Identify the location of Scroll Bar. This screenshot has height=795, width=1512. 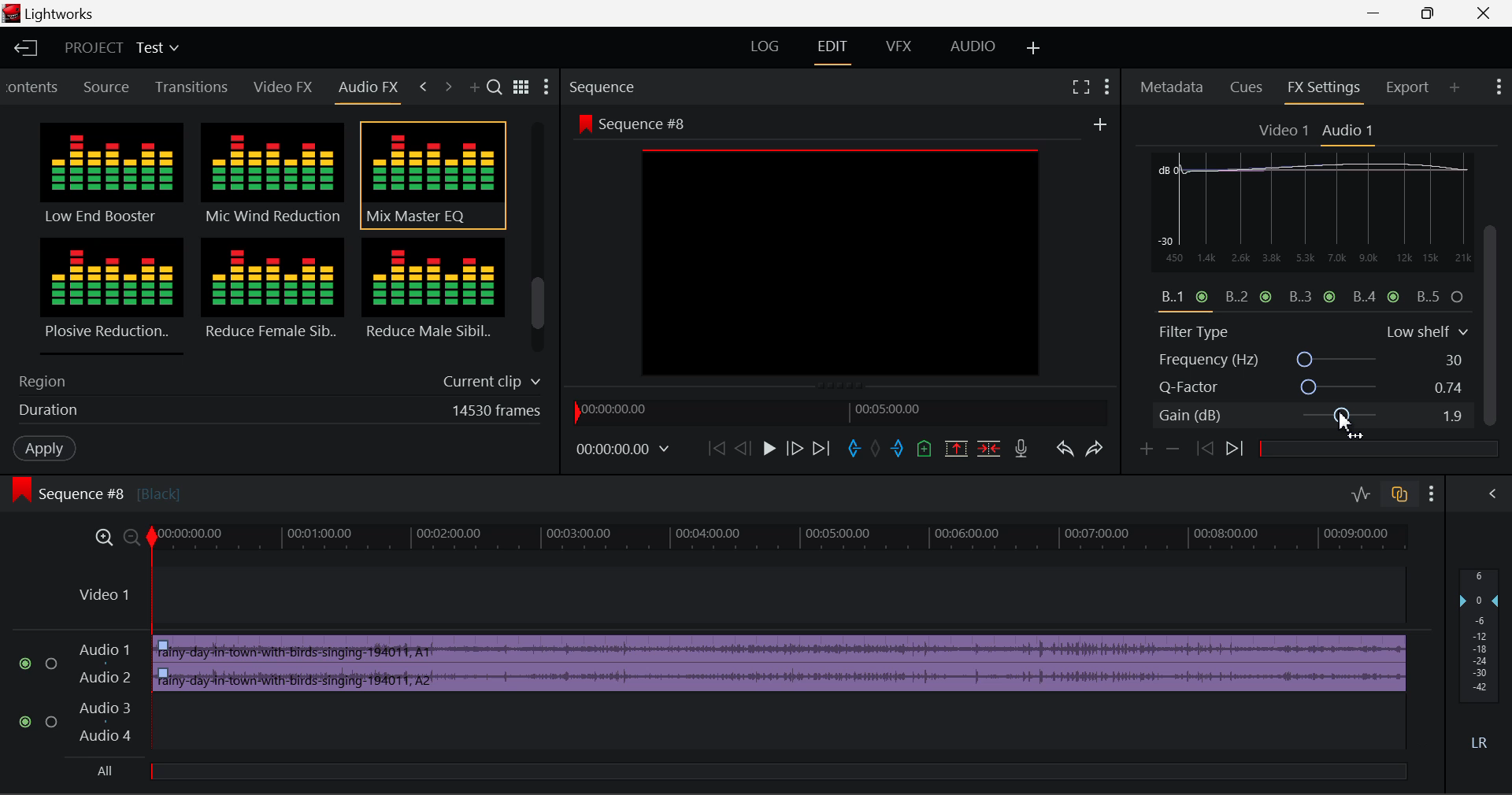
(539, 241).